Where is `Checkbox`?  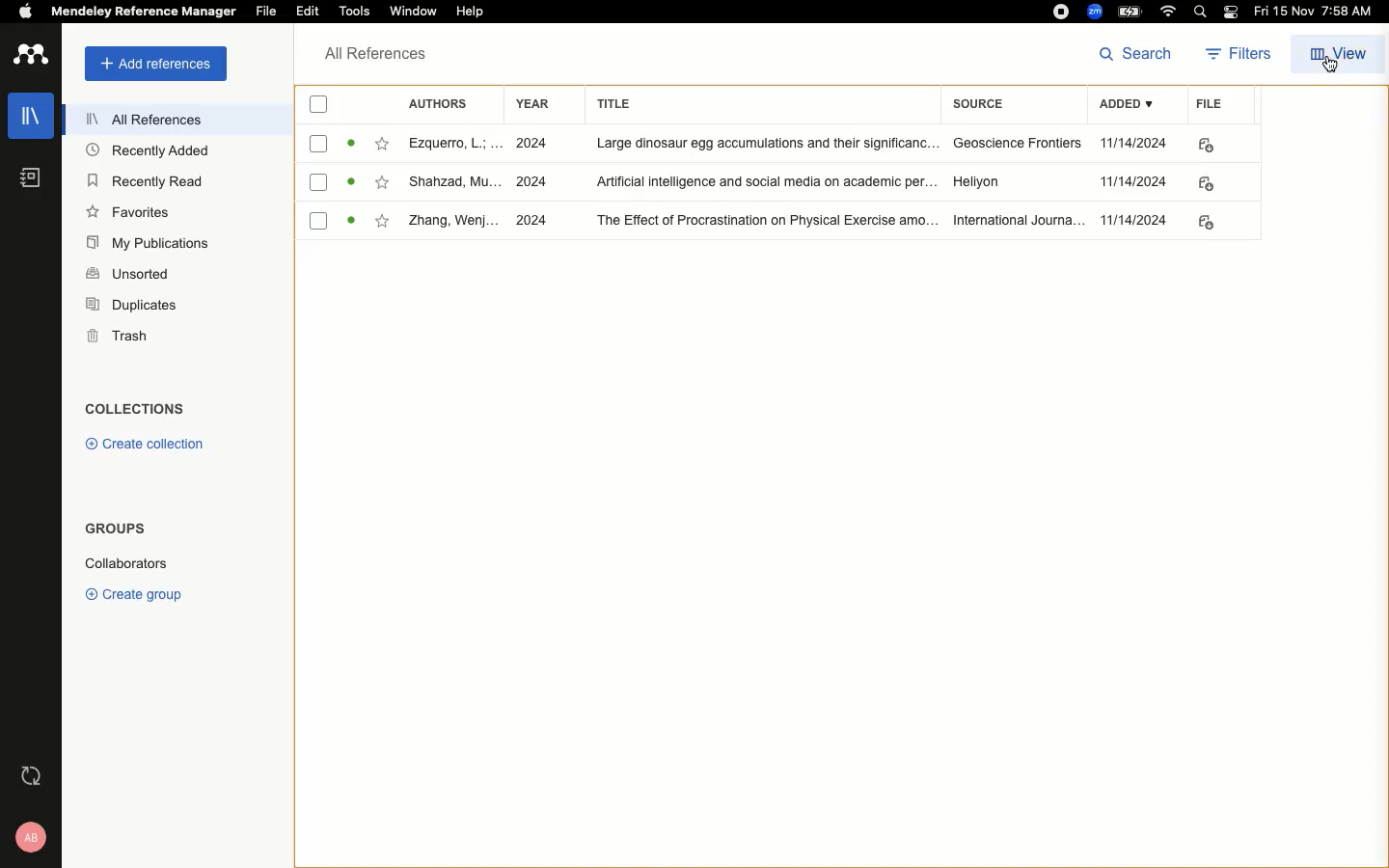 Checkbox is located at coordinates (313, 103).